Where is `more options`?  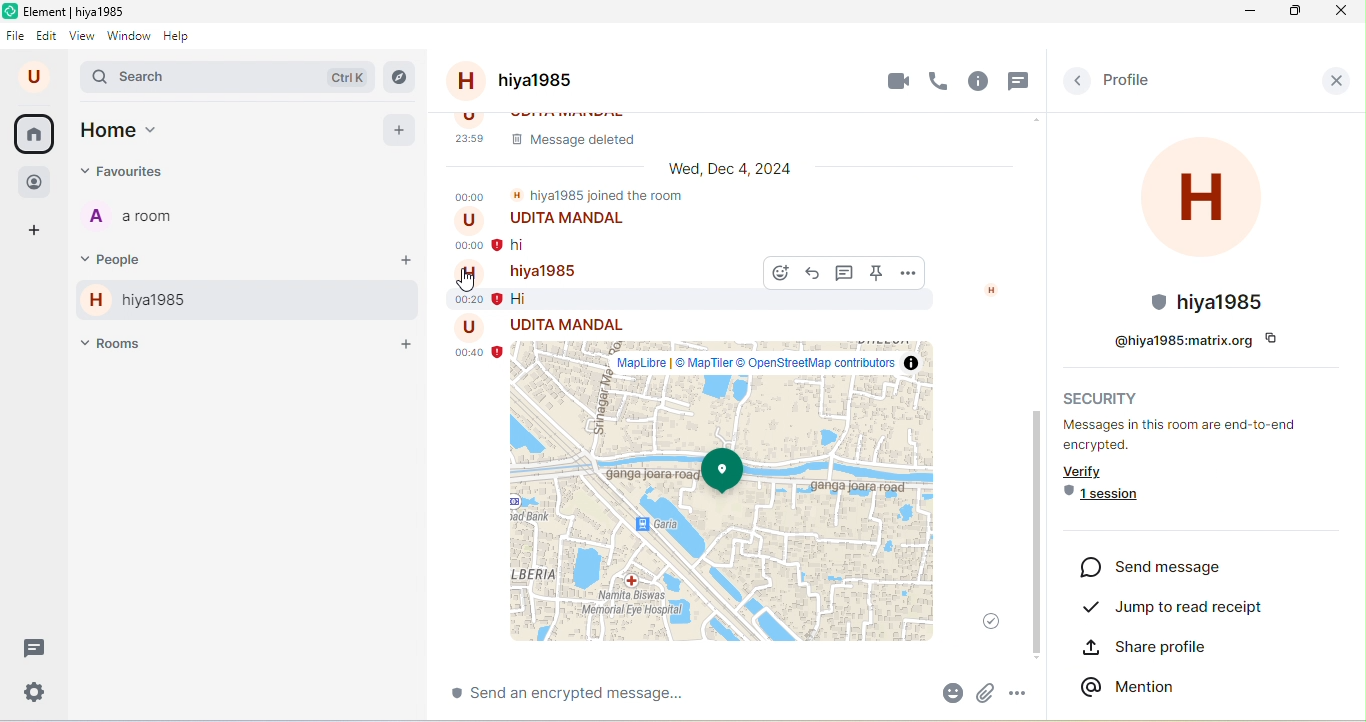 more options is located at coordinates (1019, 693).